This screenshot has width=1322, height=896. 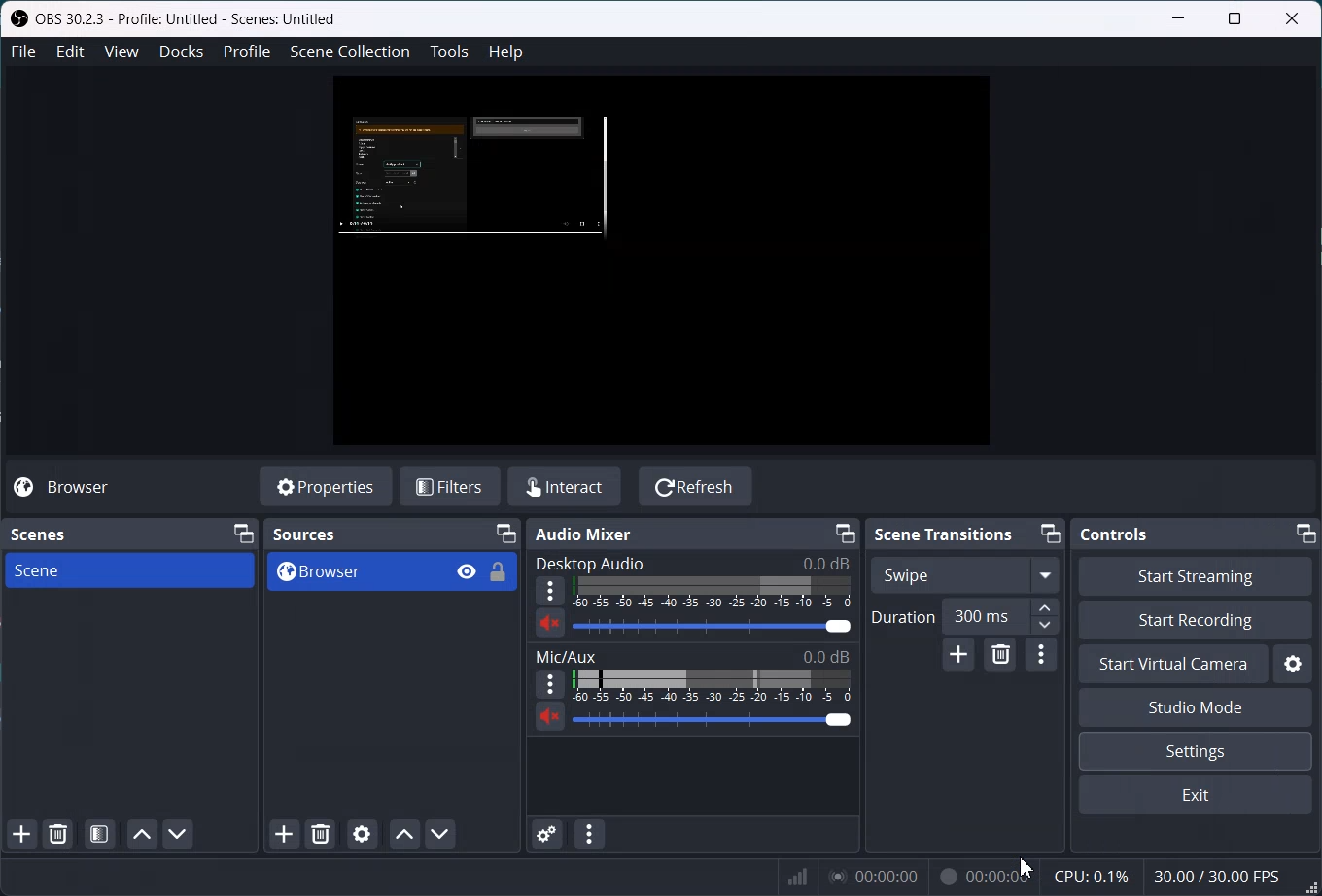 I want to click on Eye, so click(x=469, y=571).